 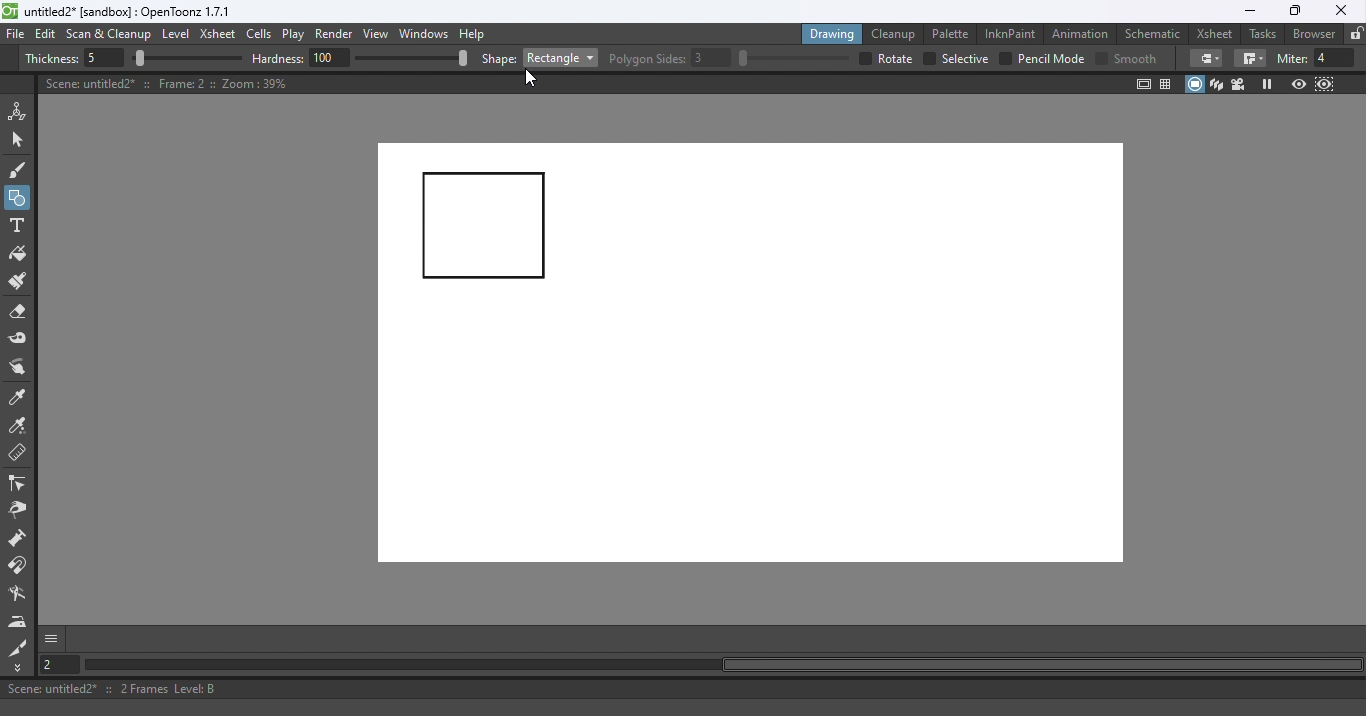 I want to click on Ruler tool, so click(x=18, y=455).